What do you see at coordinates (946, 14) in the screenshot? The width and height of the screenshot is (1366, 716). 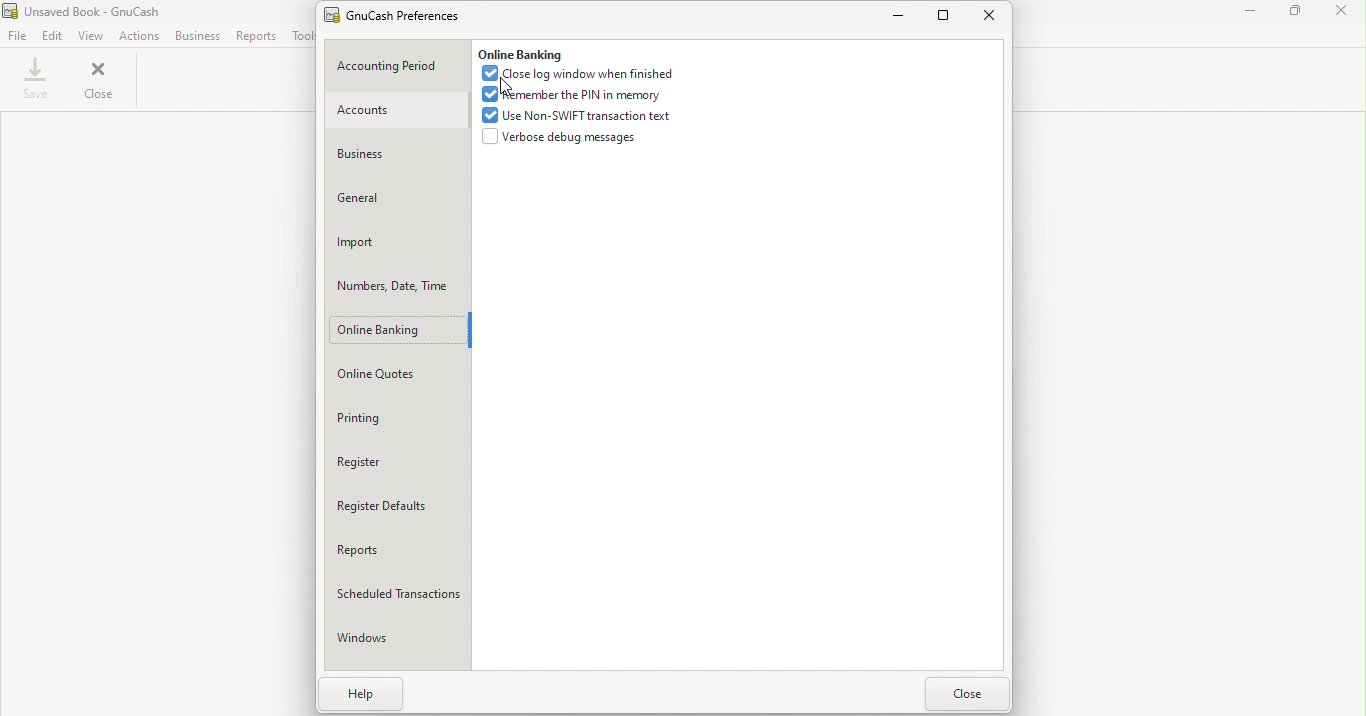 I see `Maximize` at bounding box center [946, 14].